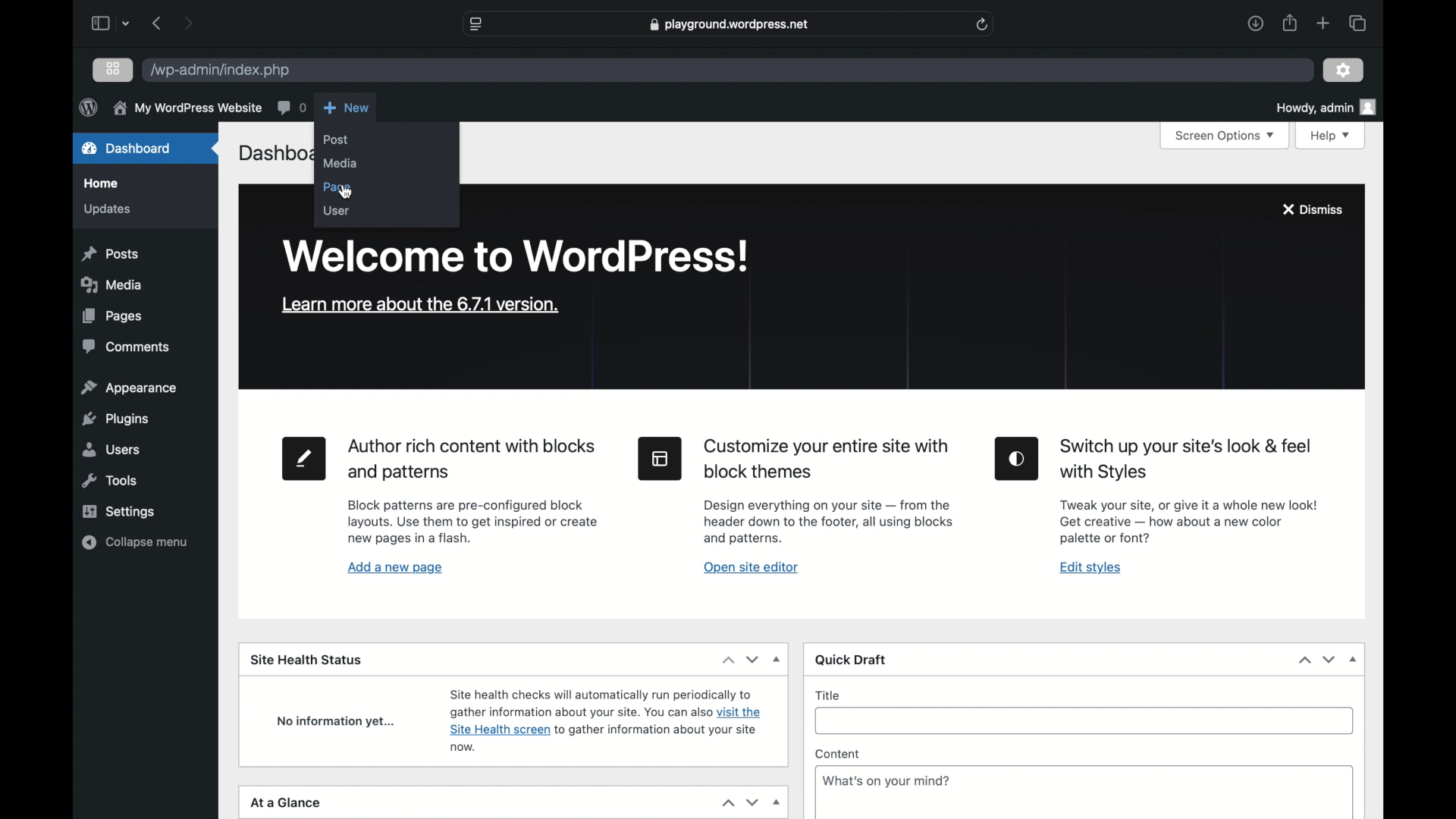  Describe the element at coordinates (828, 695) in the screenshot. I see `title` at that location.